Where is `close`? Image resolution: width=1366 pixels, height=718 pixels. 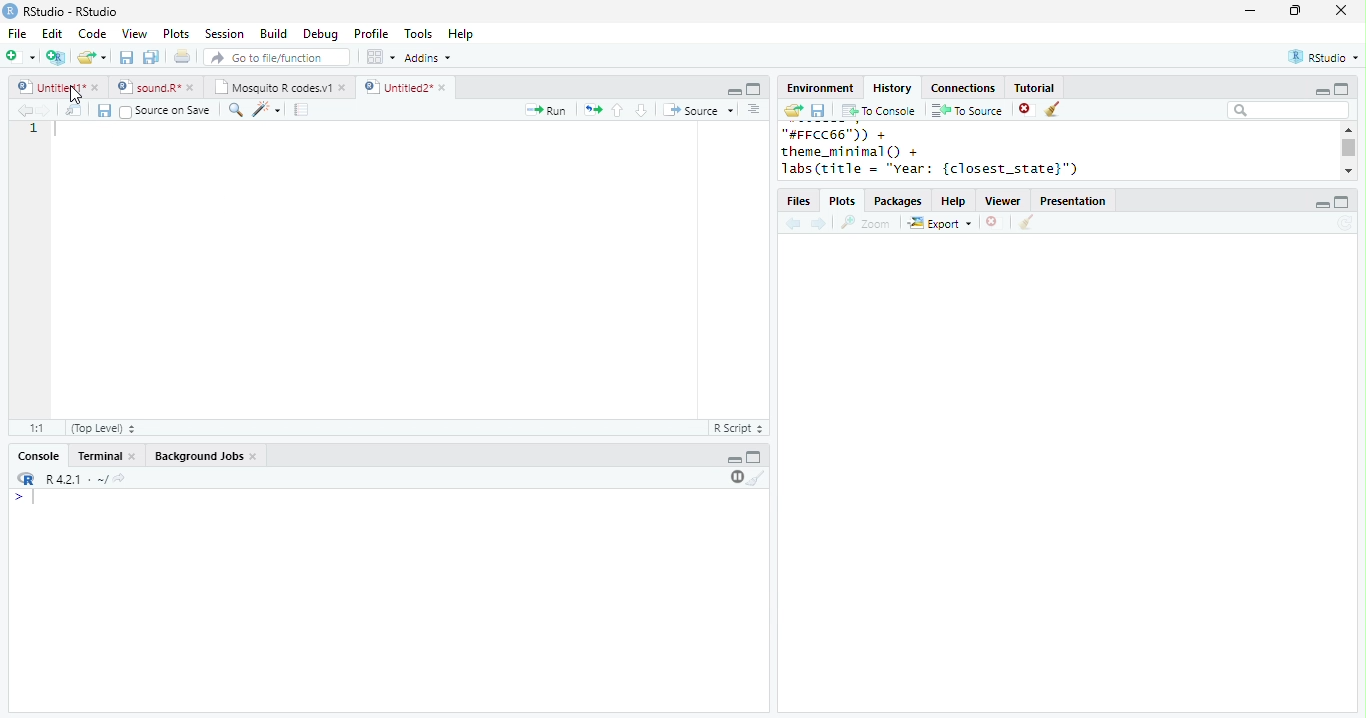
close is located at coordinates (194, 87).